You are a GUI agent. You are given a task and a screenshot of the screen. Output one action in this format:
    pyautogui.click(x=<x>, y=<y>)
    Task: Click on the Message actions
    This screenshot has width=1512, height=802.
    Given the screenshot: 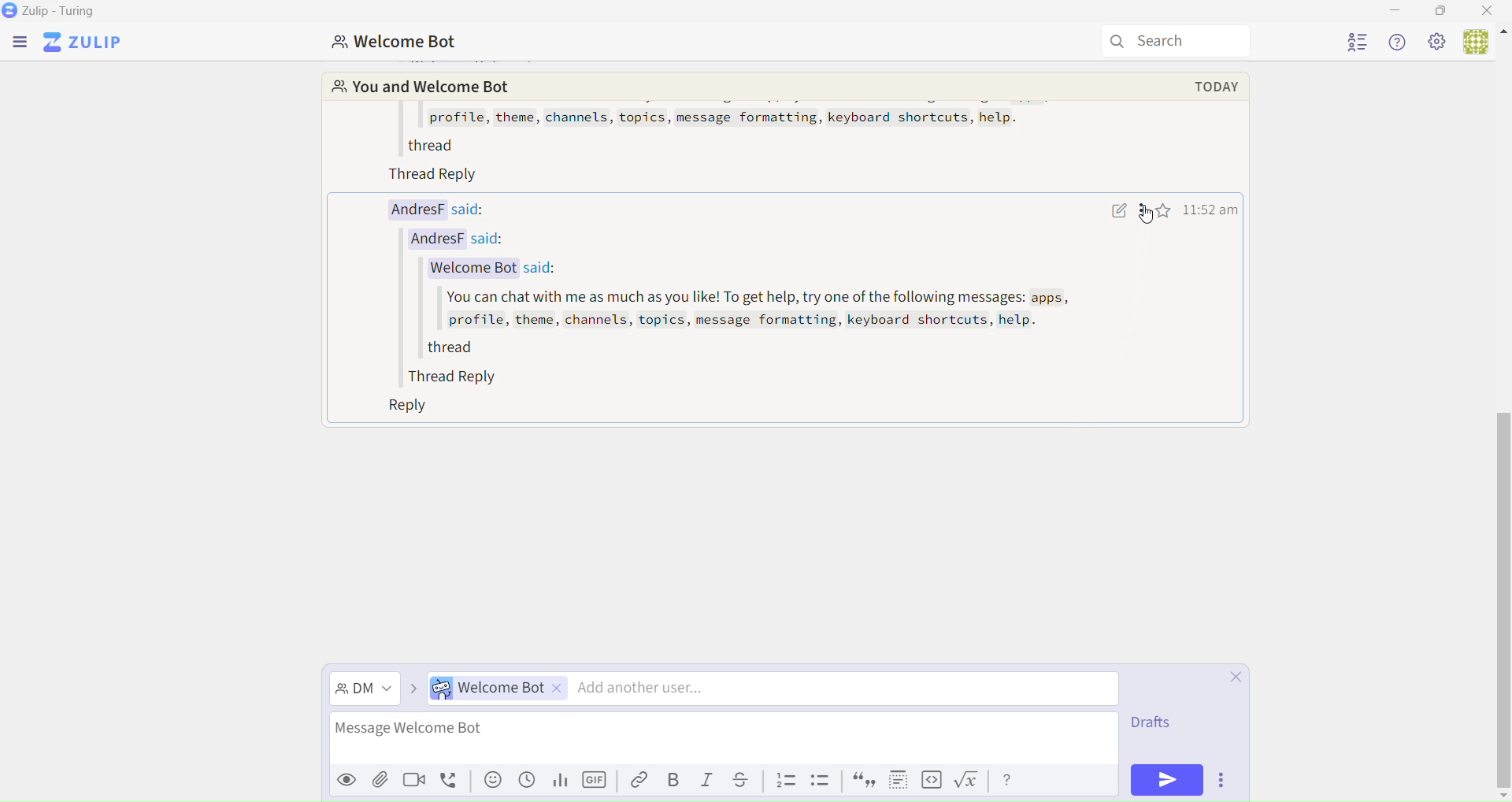 What is the action you would take?
    pyautogui.click(x=1140, y=217)
    